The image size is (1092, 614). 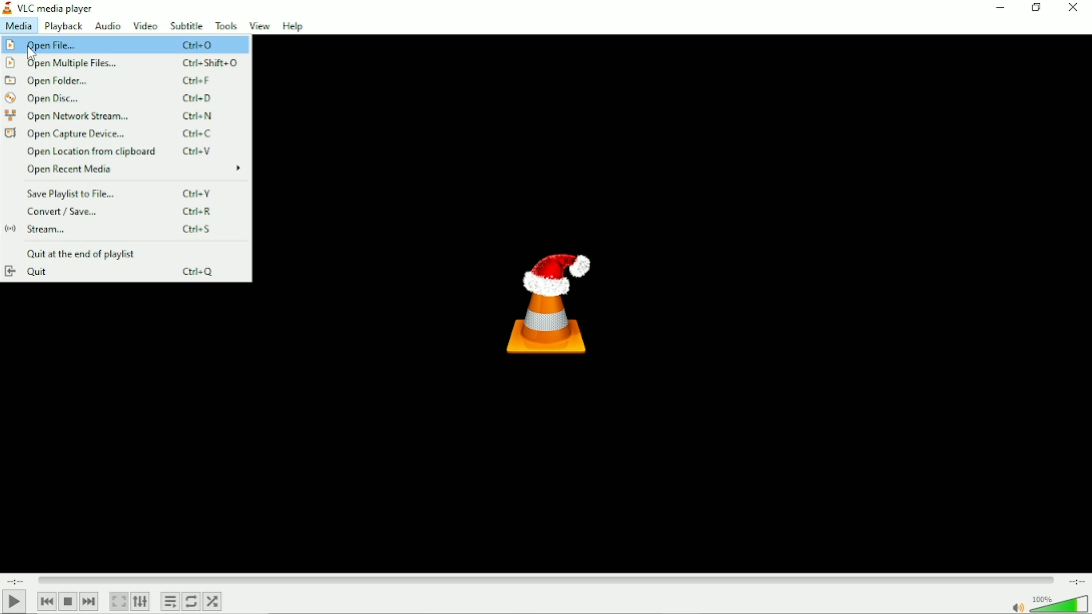 I want to click on Previous, so click(x=46, y=602).